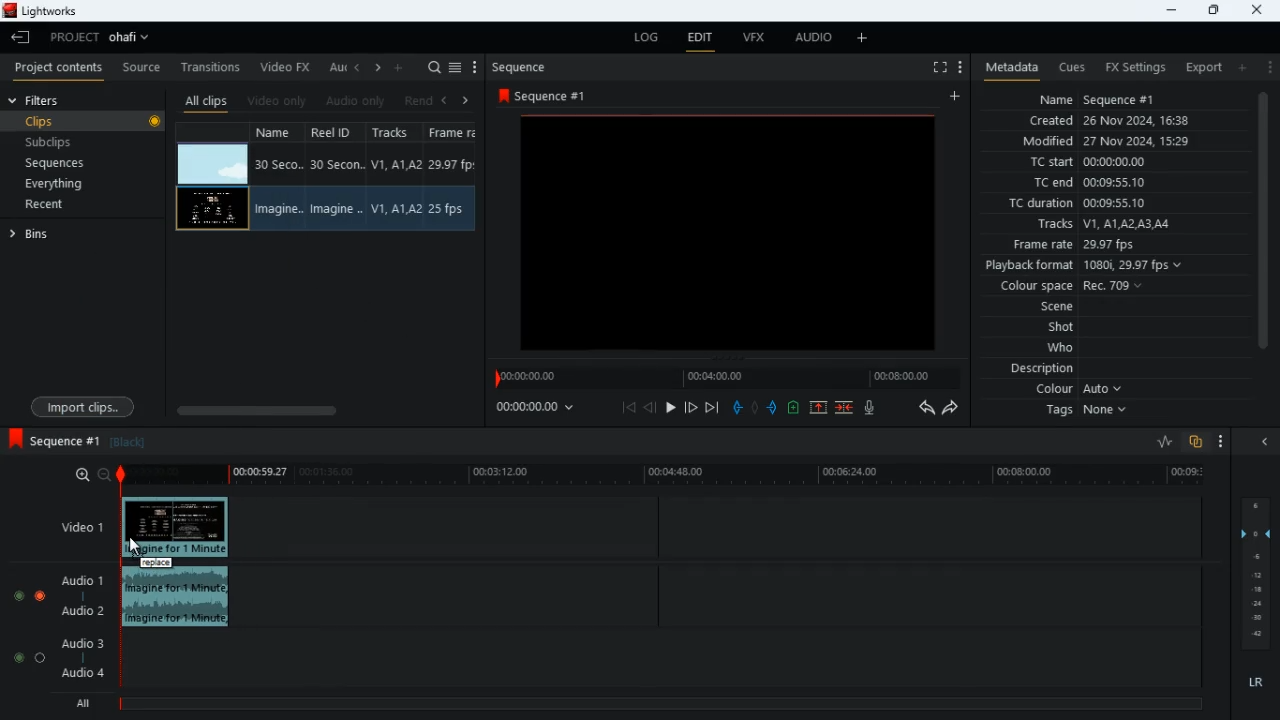 The height and width of the screenshot is (720, 1280). What do you see at coordinates (958, 97) in the screenshot?
I see `add` at bounding box center [958, 97].